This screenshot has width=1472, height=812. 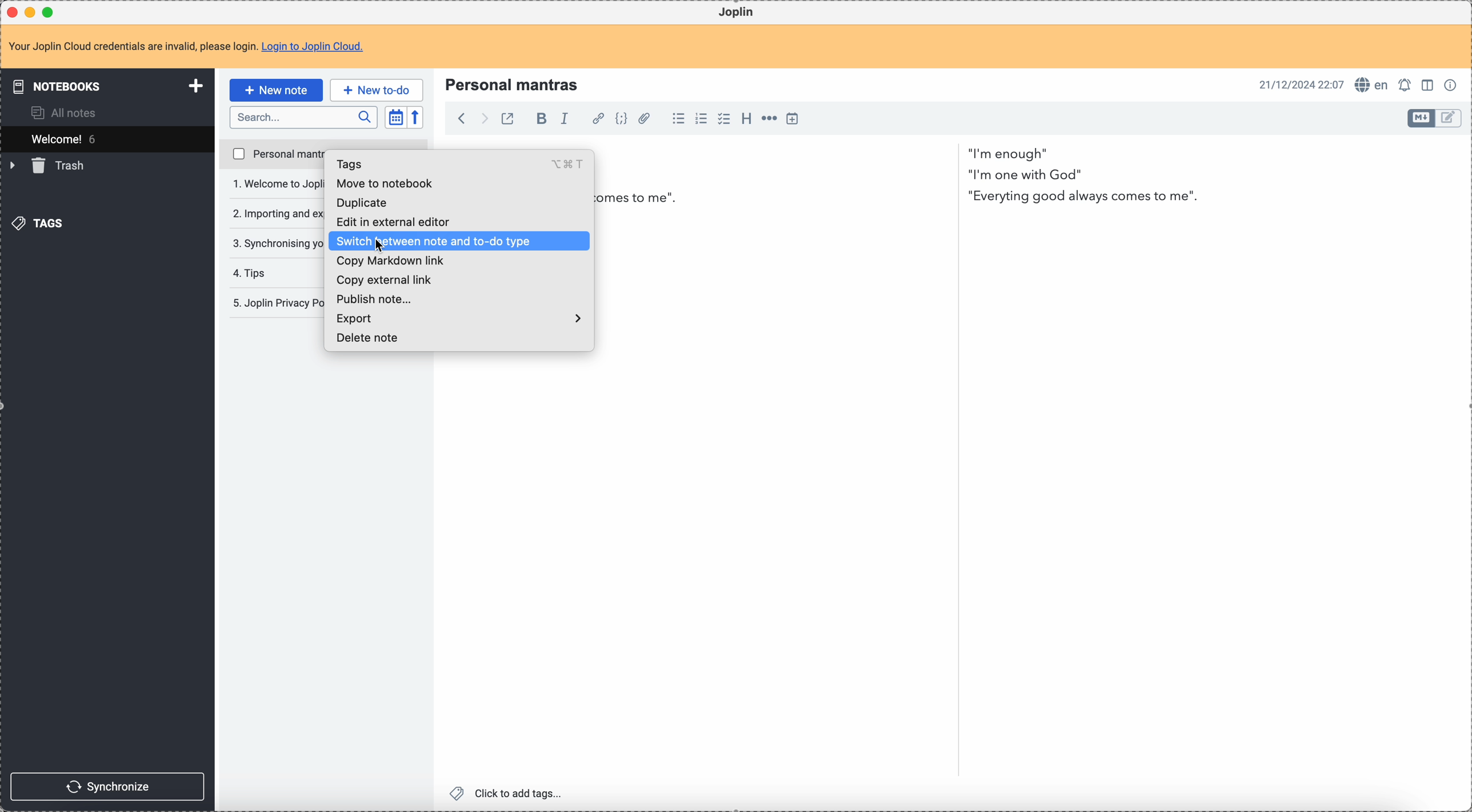 What do you see at coordinates (190, 46) in the screenshot?
I see `note` at bounding box center [190, 46].